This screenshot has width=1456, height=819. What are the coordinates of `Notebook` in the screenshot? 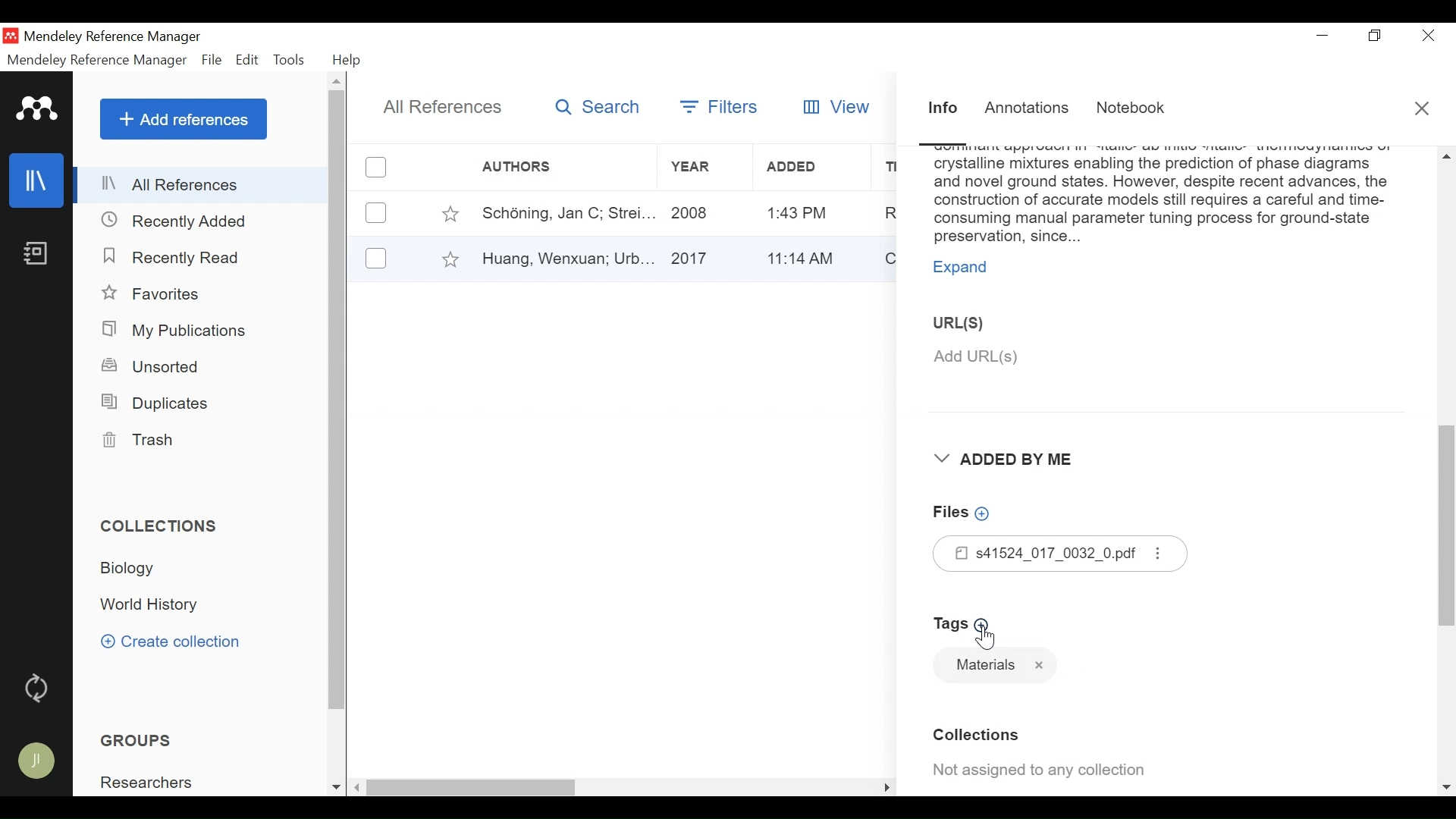 It's located at (1134, 108).